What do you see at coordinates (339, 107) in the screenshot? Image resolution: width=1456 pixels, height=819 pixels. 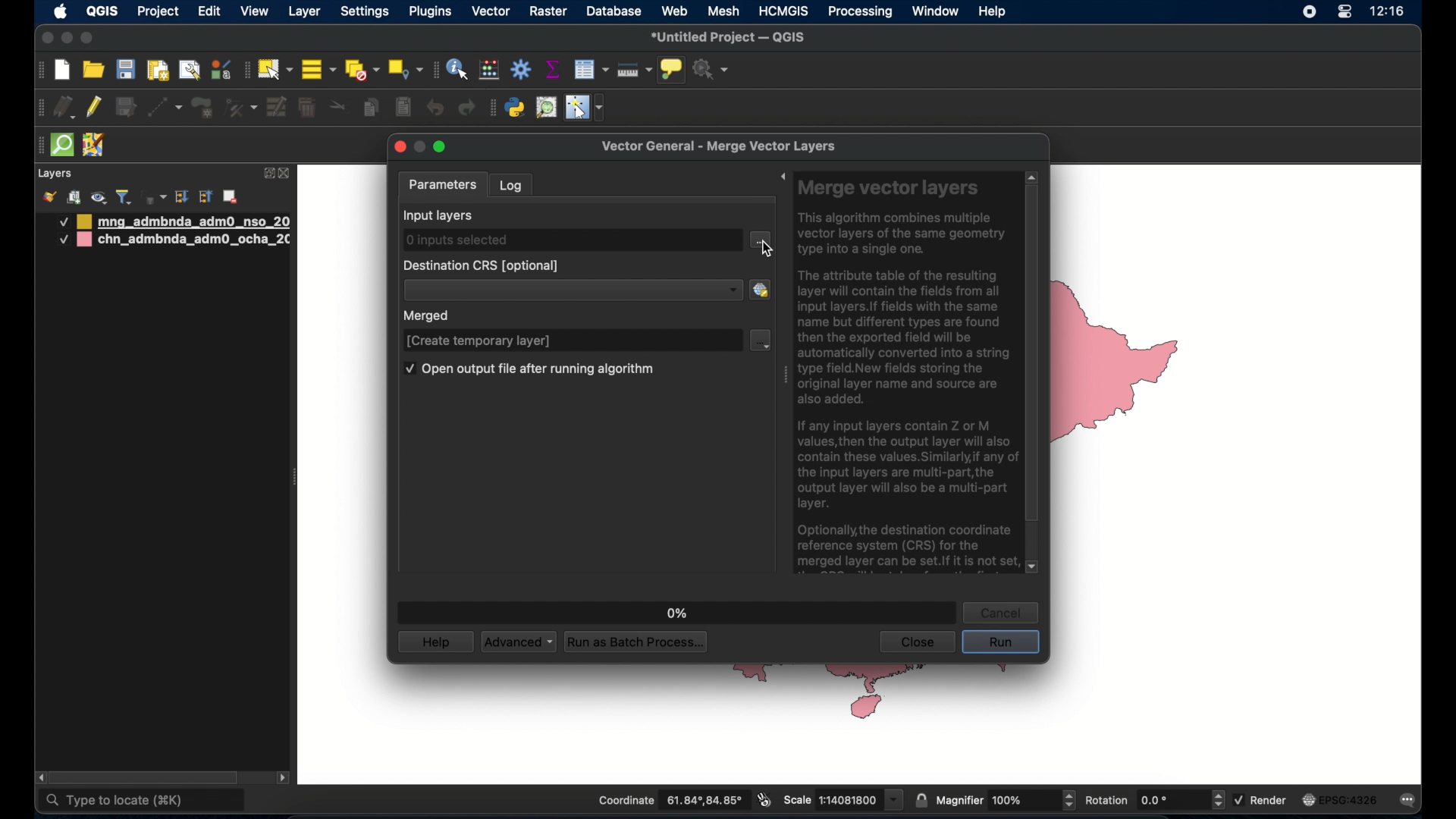 I see `cut features` at bounding box center [339, 107].